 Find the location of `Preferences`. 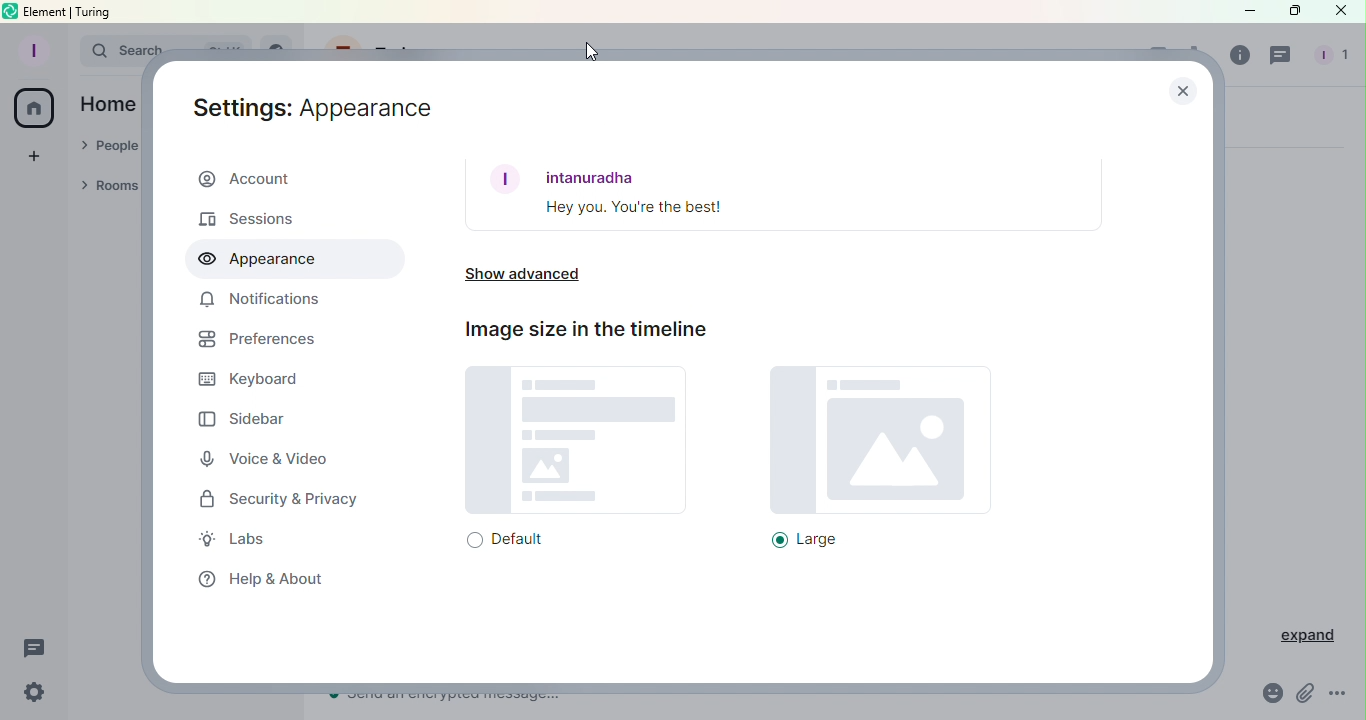

Preferences is located at coordinates (257, 342).